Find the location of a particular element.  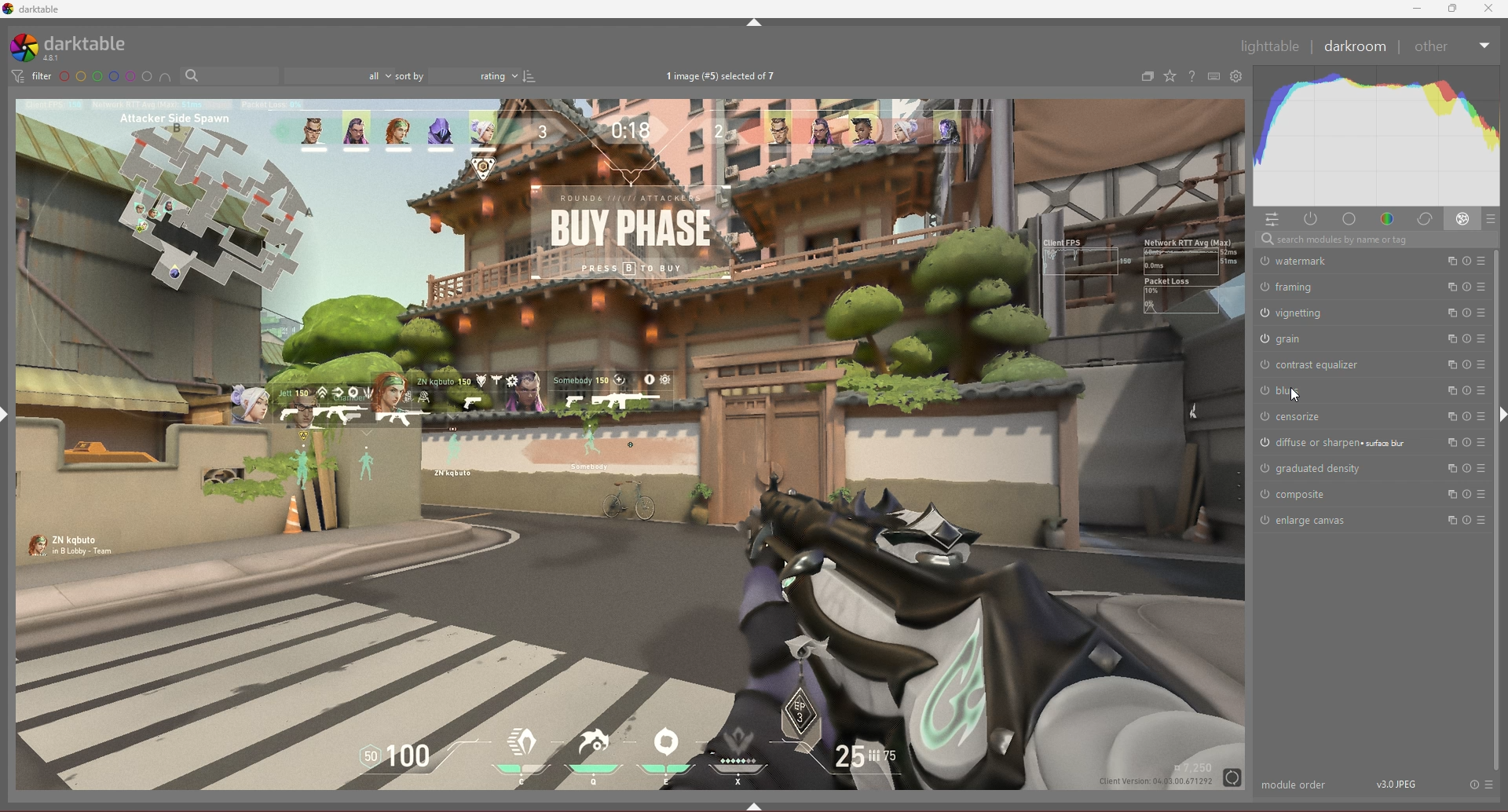

enlarge canvas is located at coordinates (1313, 521).